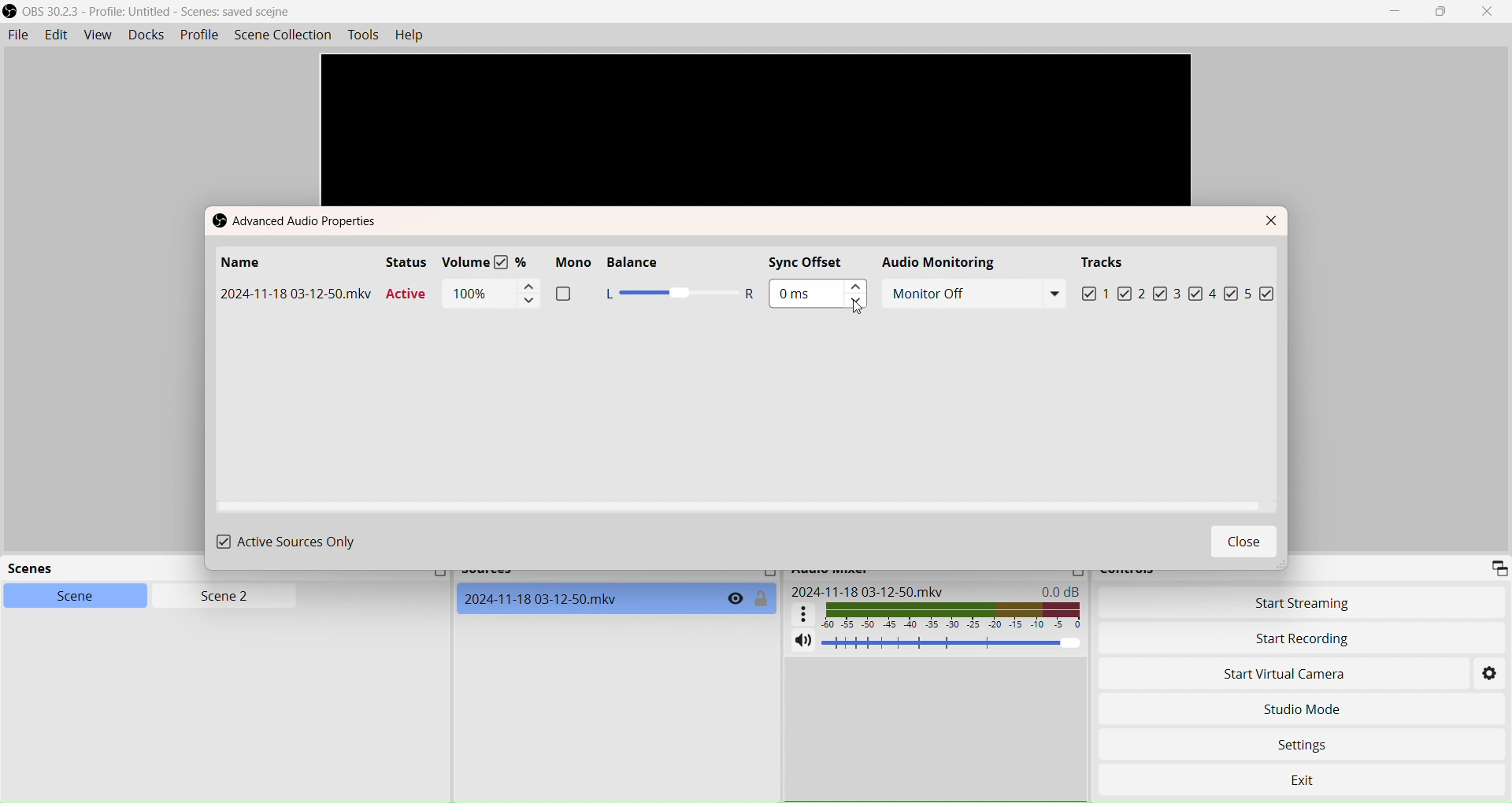 The width and height of the screenshot is (1512, 803). Describe the element at coordinates (1223, 293) in the screenshot. I see `4` at that location.